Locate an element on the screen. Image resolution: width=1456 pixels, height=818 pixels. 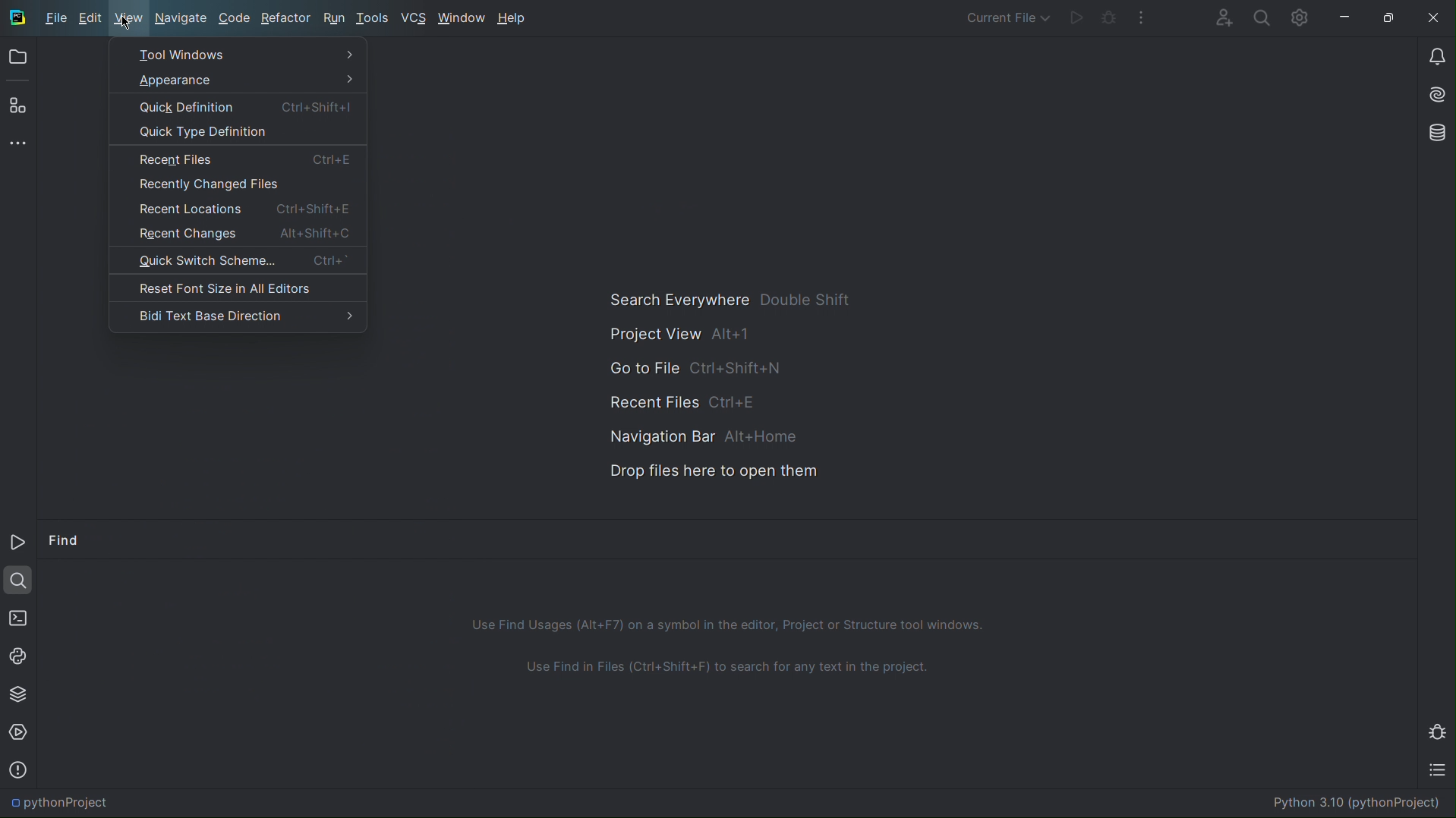
Settings is located at coordinates (1298, 17).